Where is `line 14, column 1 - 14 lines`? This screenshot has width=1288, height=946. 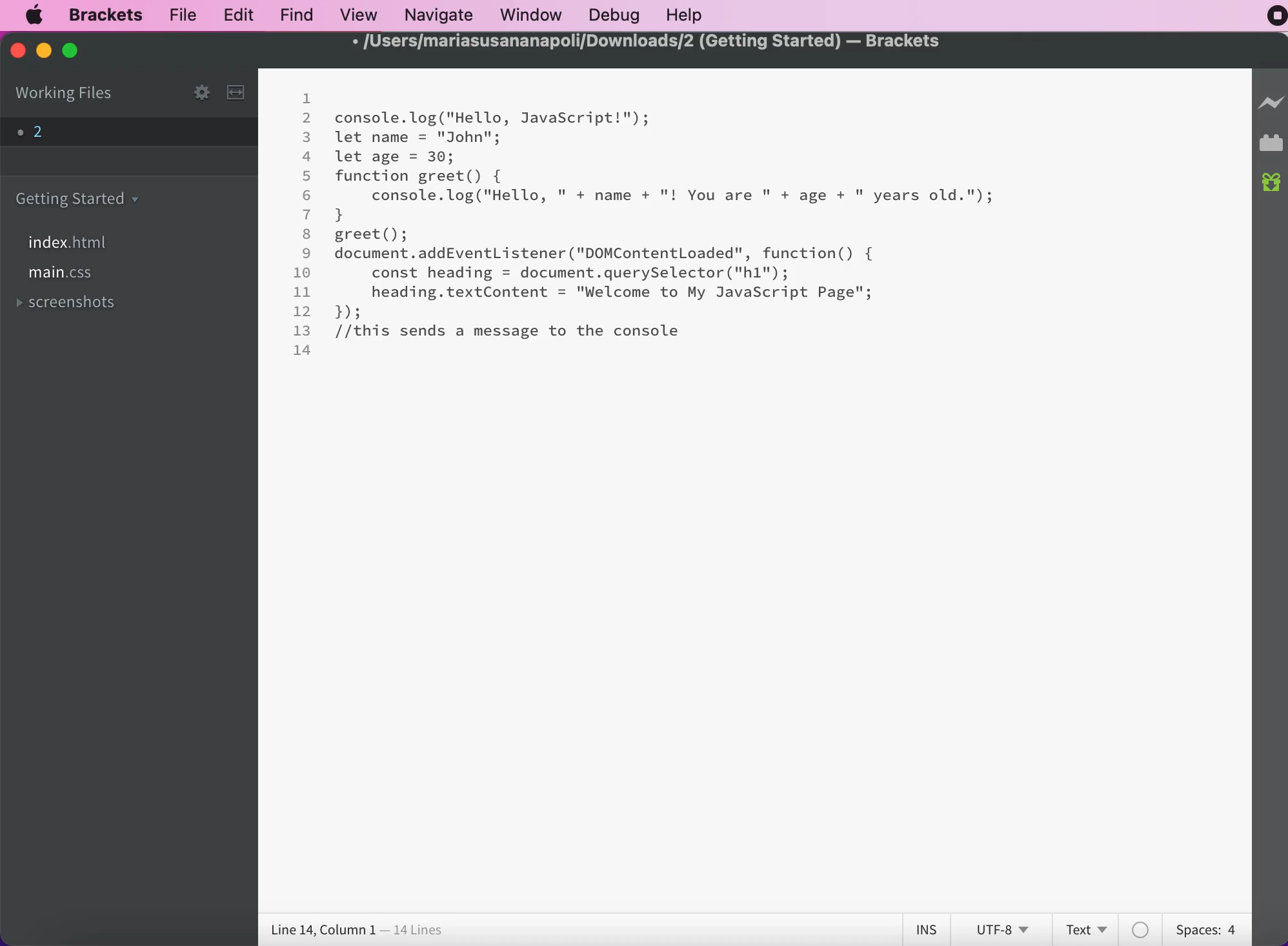
line 14, column 1 - 14 lines is located at coordinates (356, 929).